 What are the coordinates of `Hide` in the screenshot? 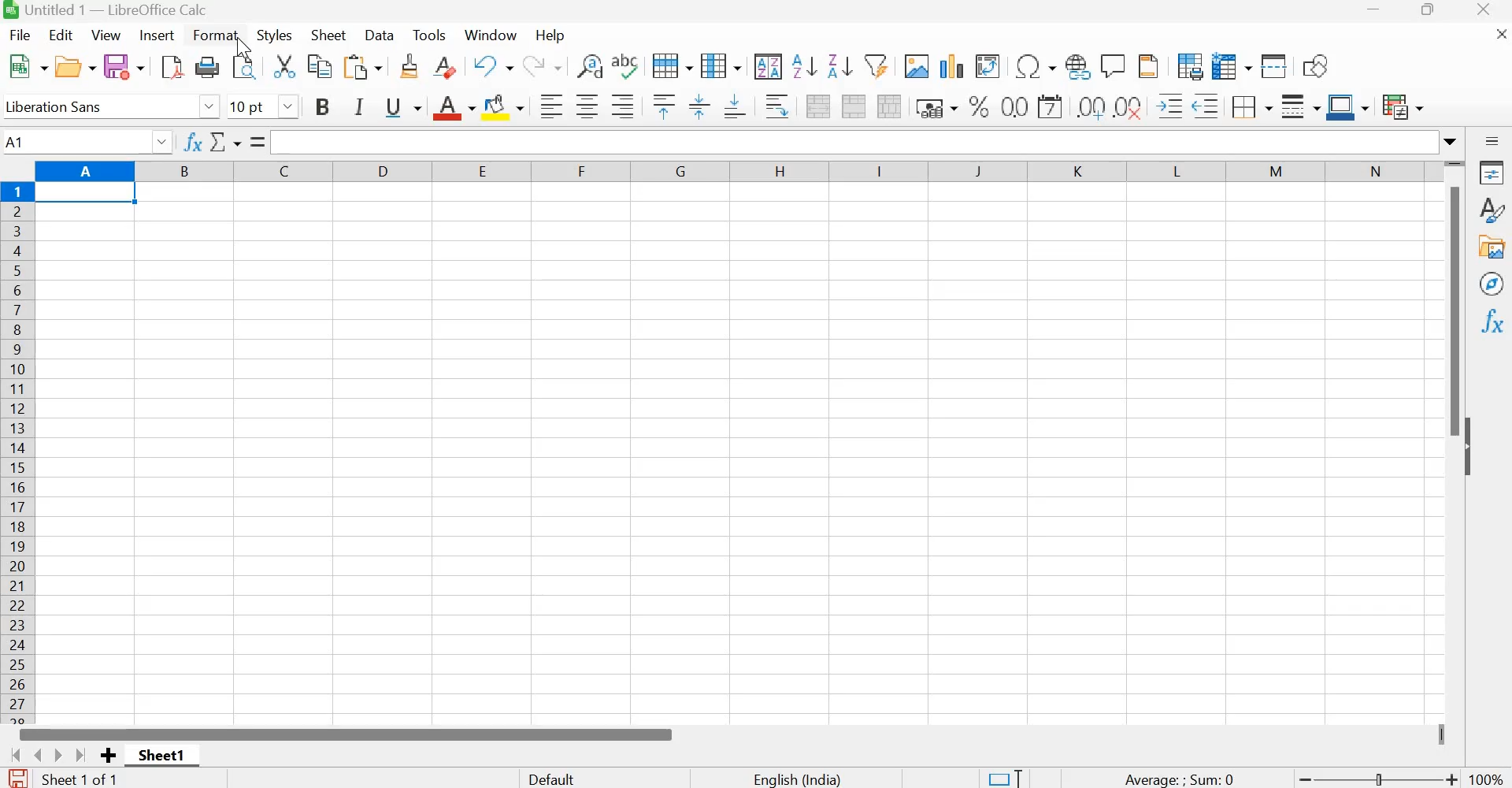 It's located at (1475, 449).